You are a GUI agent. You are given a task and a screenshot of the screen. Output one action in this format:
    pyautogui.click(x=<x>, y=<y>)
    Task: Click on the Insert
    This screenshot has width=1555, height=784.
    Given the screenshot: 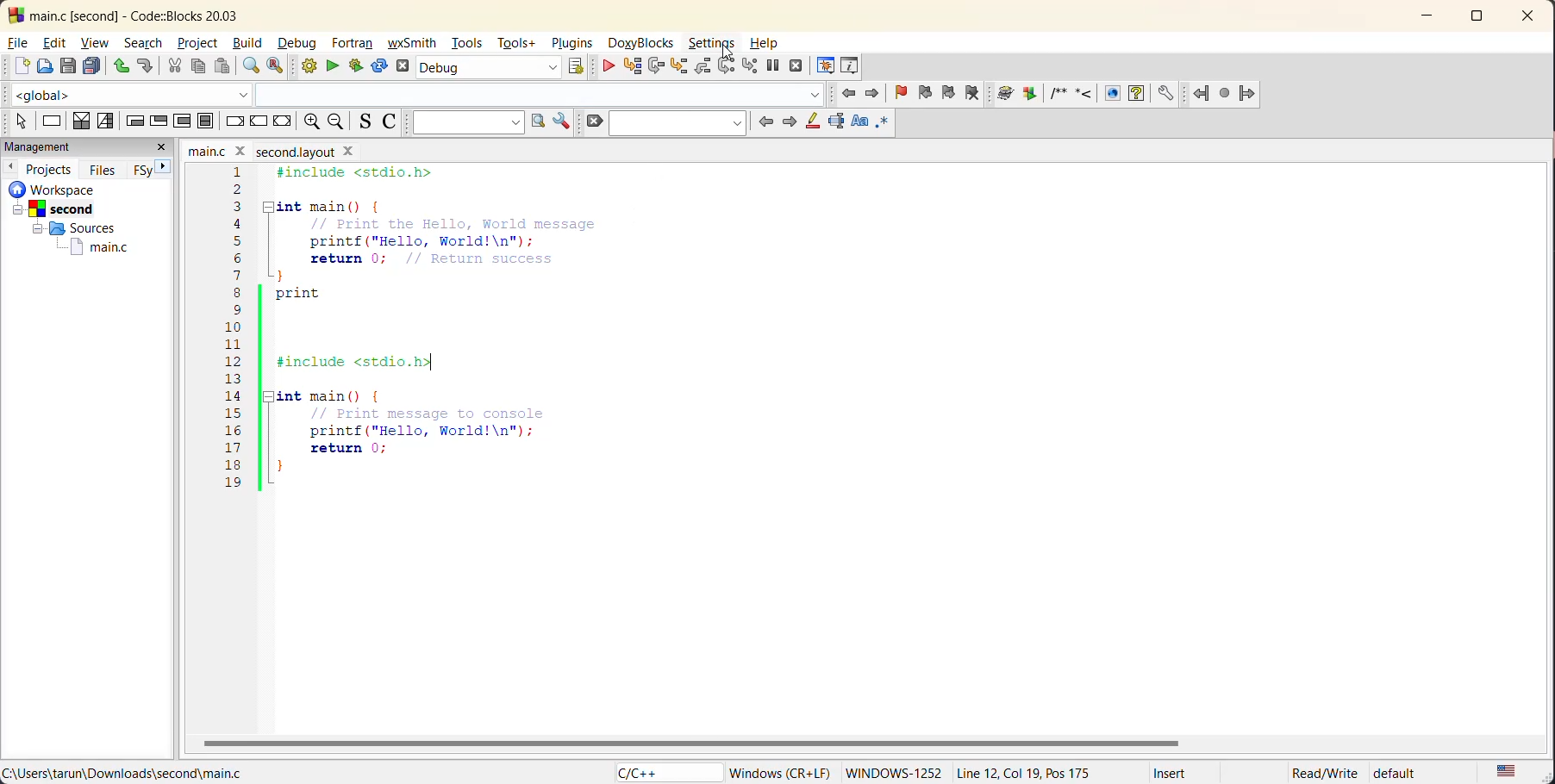 What is the action you would take?
    pyautogui.click(x=1172, y=773)
    